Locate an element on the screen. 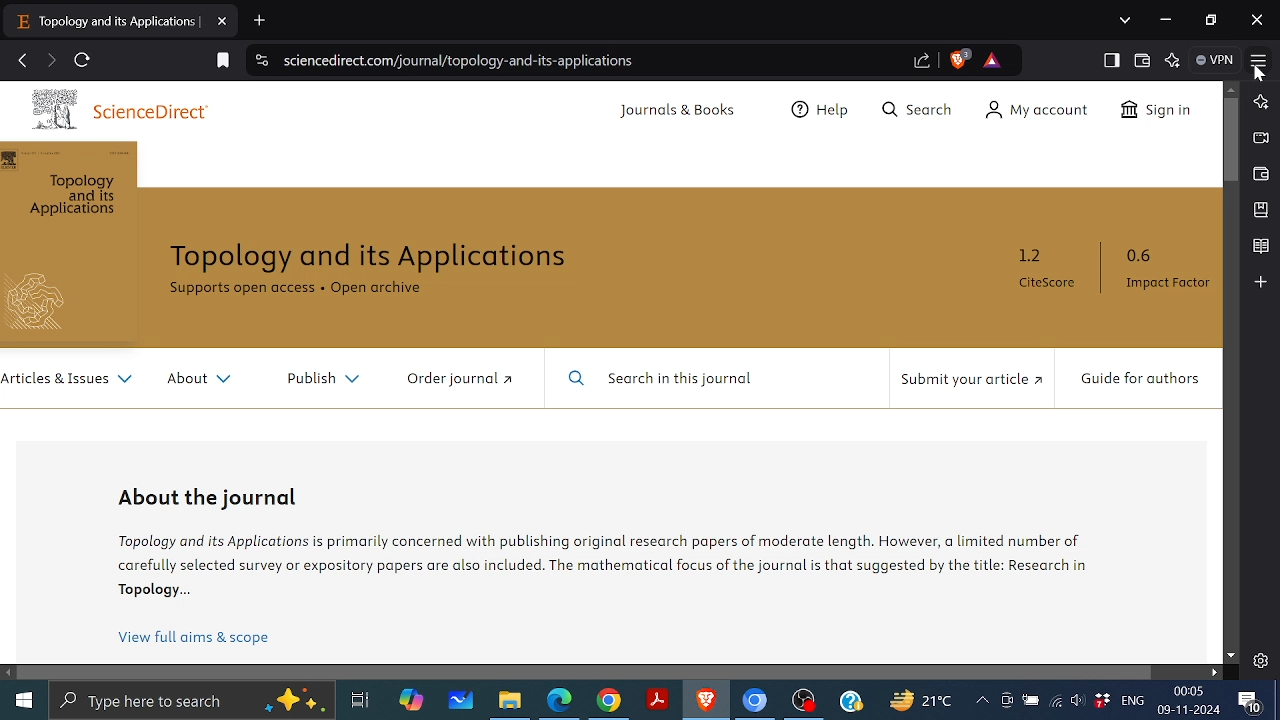  Guide for authors is located at coordinates (1144, 384).